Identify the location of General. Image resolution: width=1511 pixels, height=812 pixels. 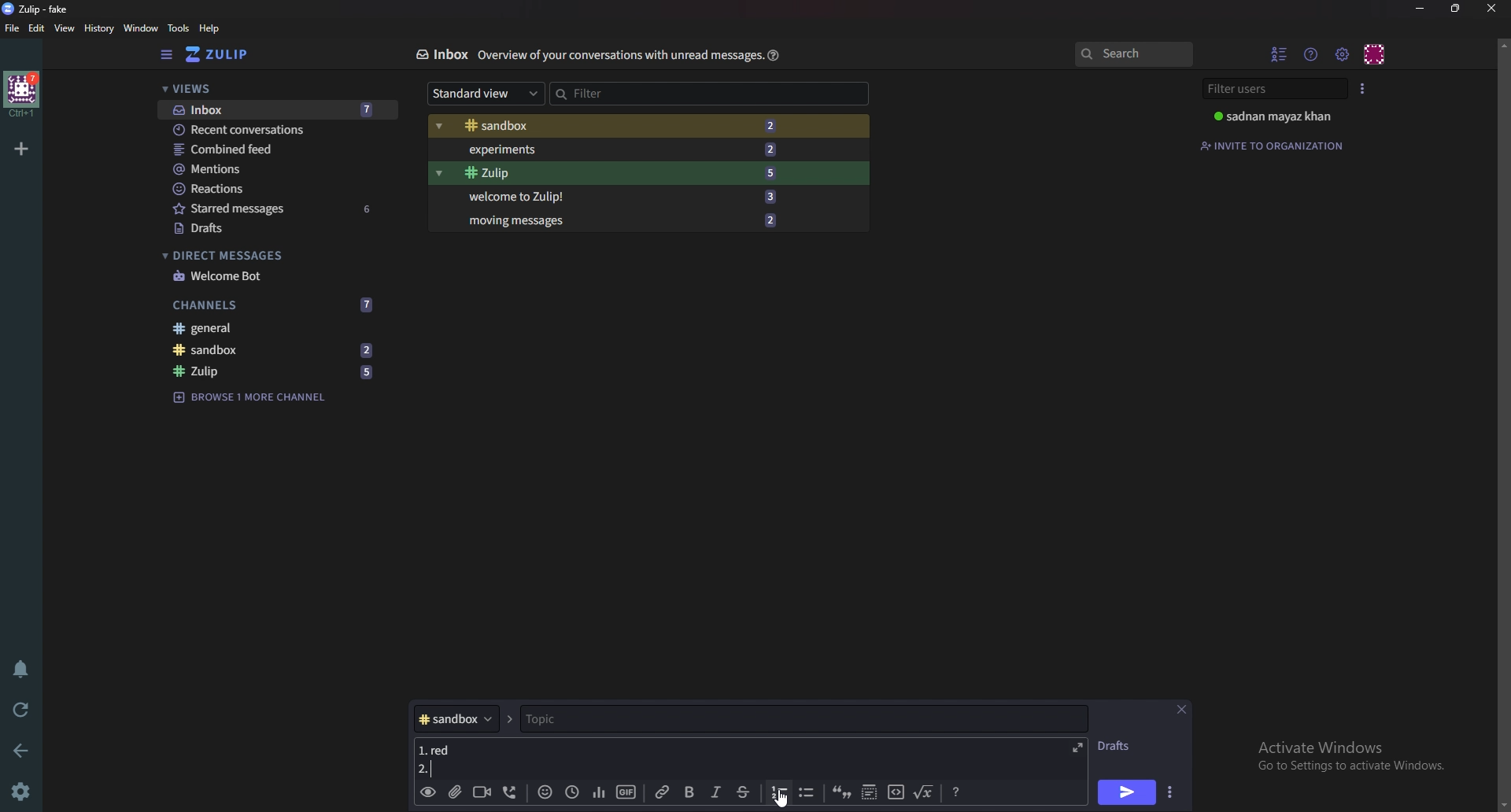
(275, 330).